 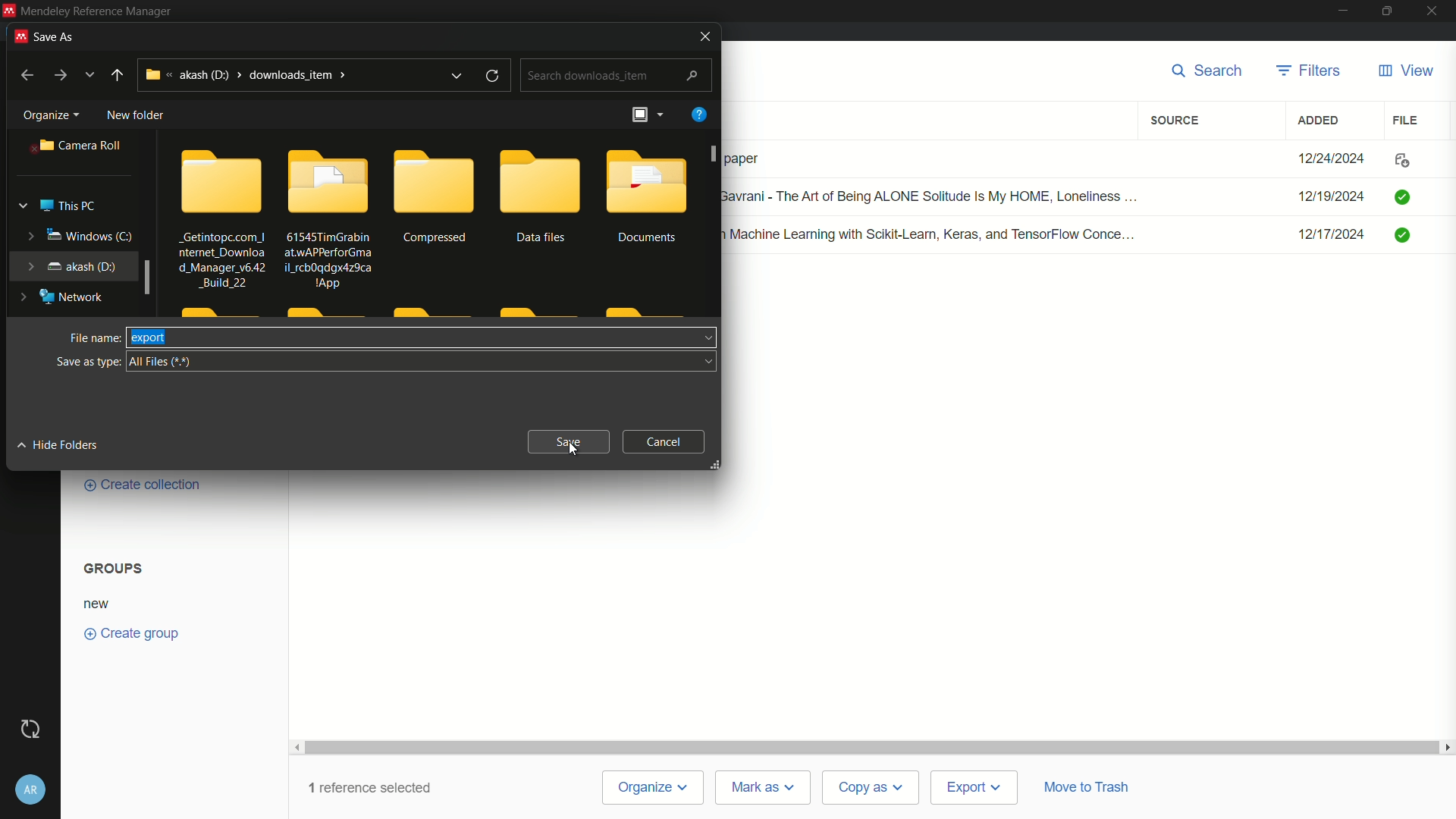 I want to click on close app, so click(x=1435, y=11).